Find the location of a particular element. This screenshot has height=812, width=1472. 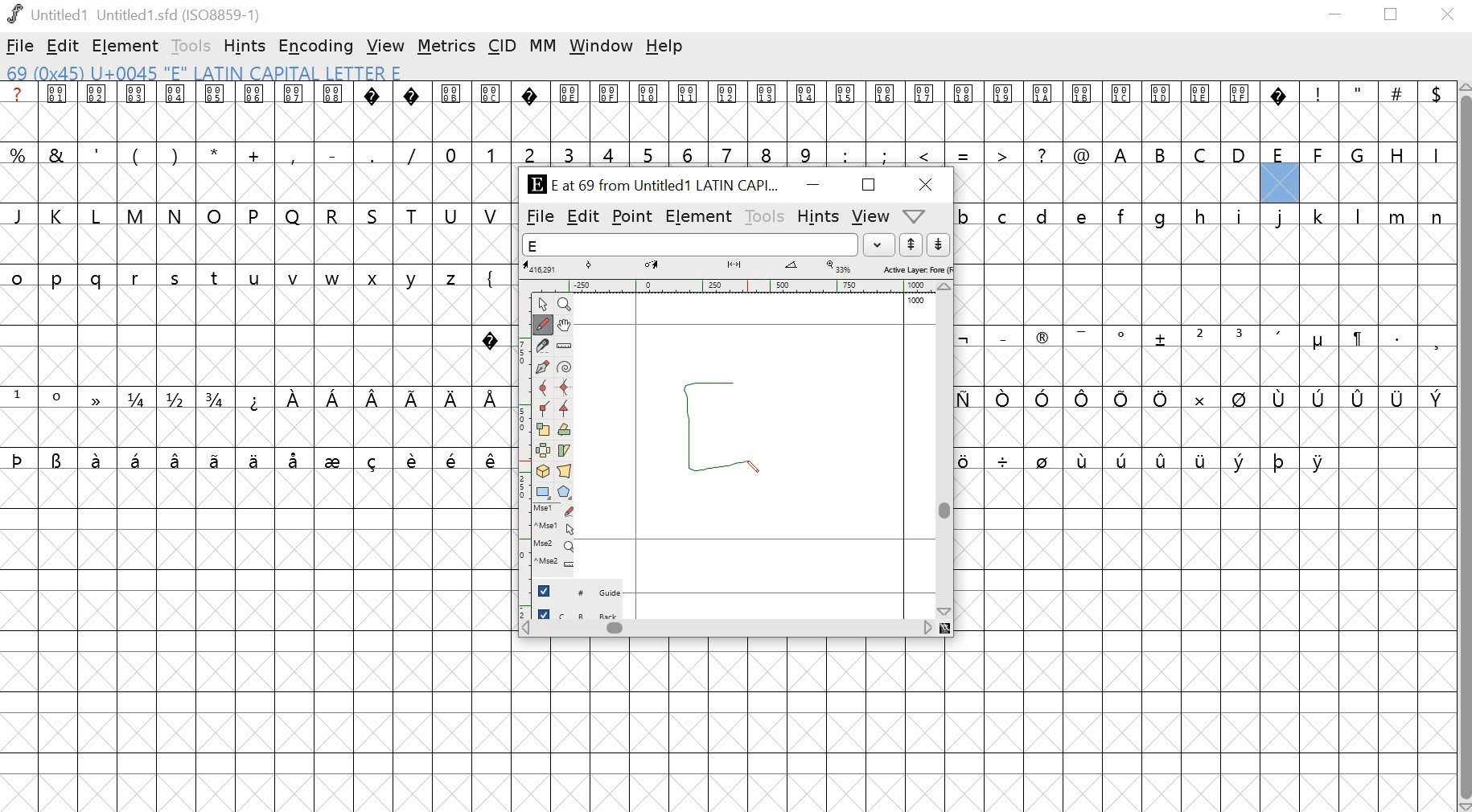

69 (0x45) U+0045 "E" LATIN CAPITAL Letter E is located at coordinates (208, 74).